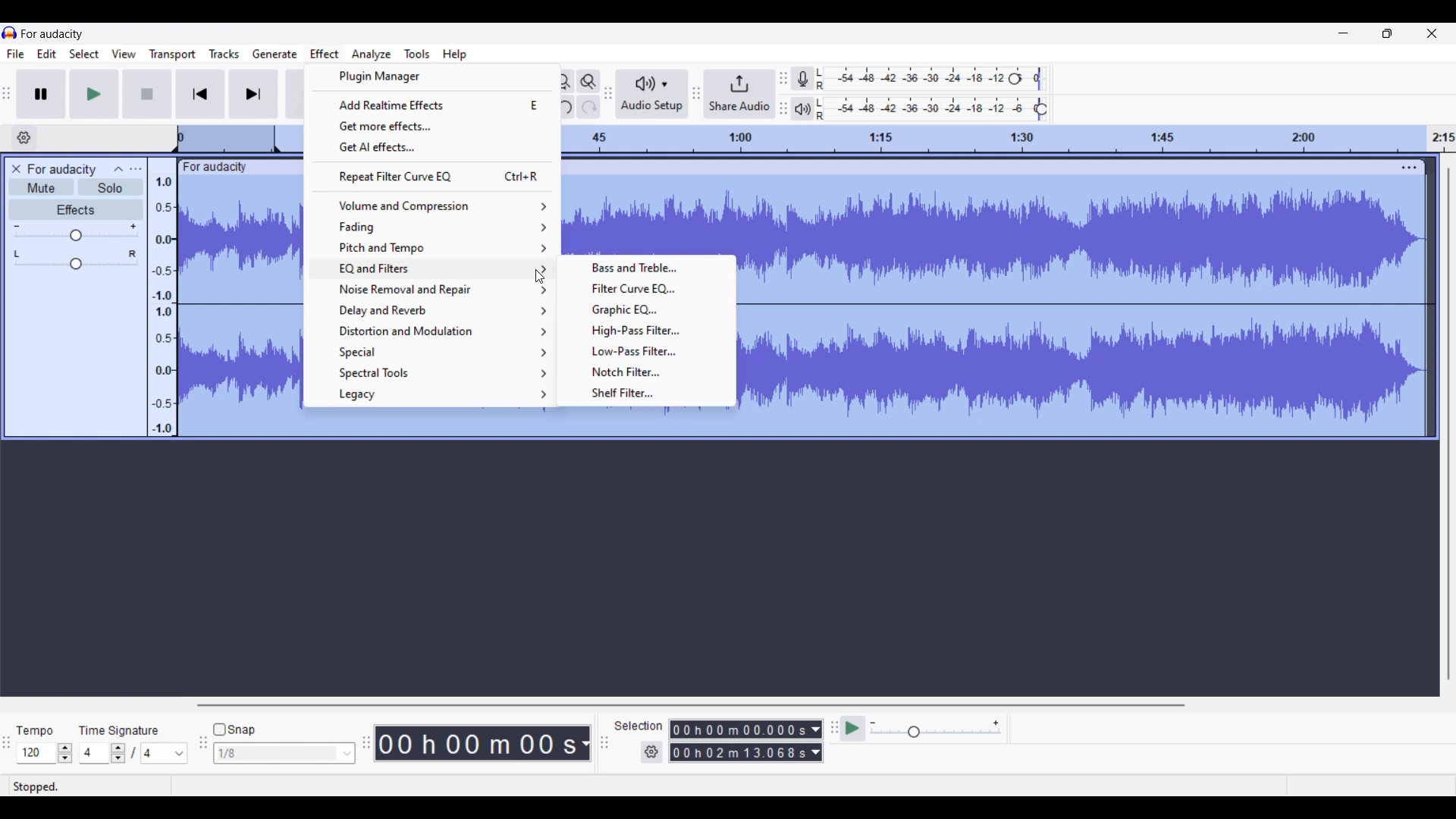 The width and height of the screenshot is (1456, 819). I want to click on Max. time signature options, so click(165, 754).